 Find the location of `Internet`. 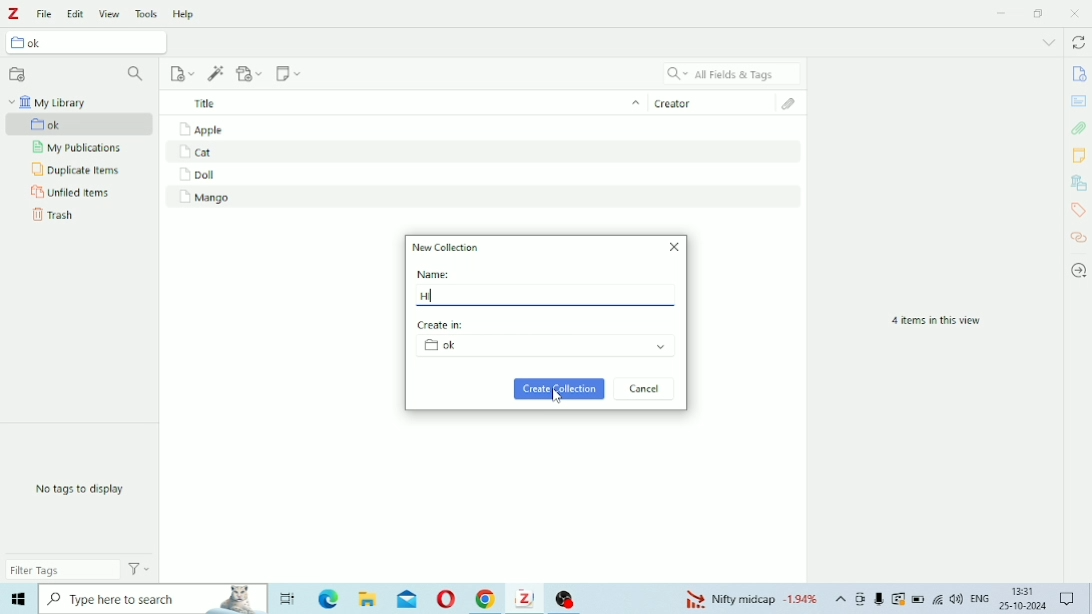

Internet is located at coordinates (938, 599).